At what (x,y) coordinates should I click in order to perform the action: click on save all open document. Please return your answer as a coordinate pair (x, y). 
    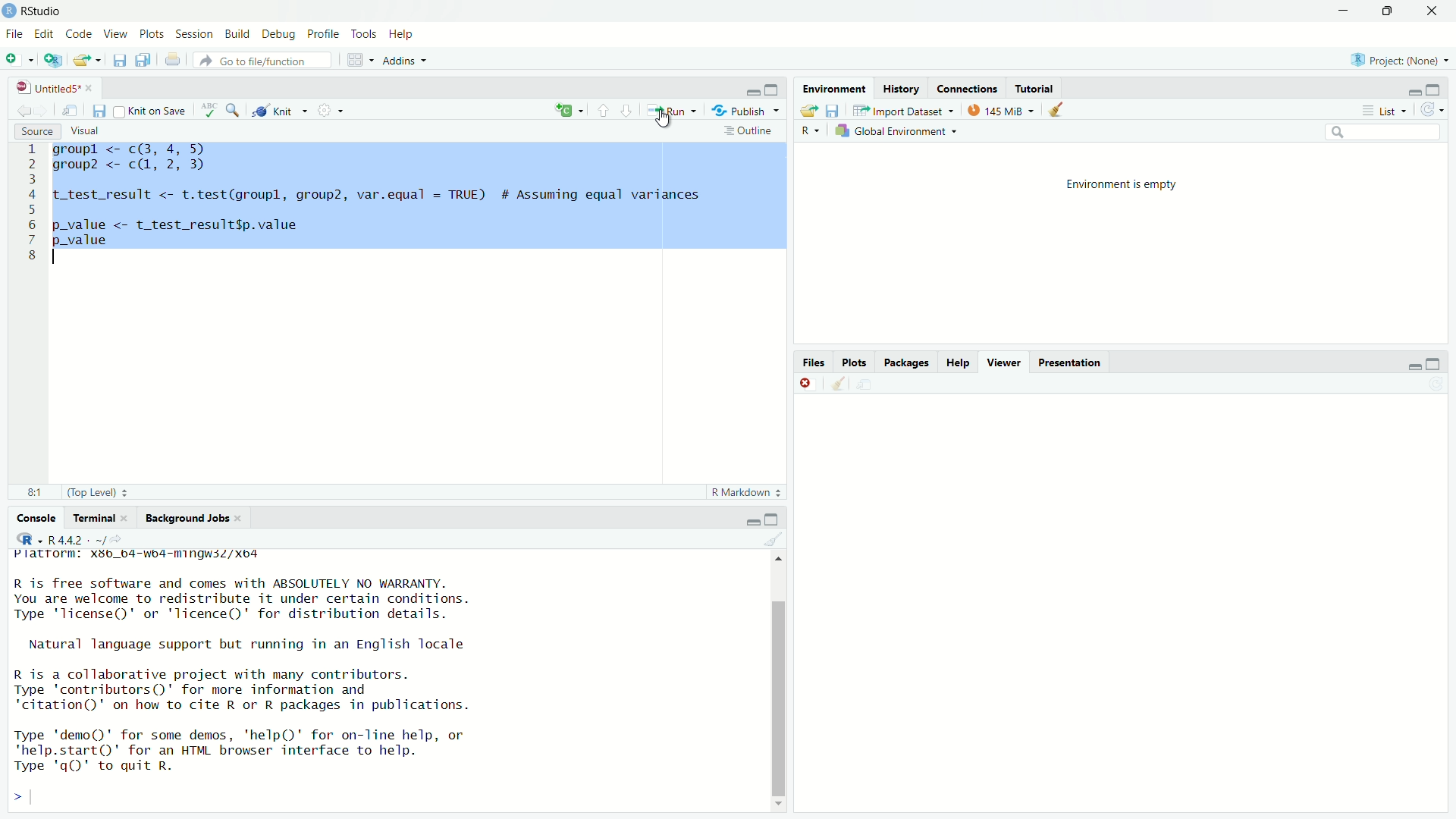
    Looking at the image, I should click on (141, 58).